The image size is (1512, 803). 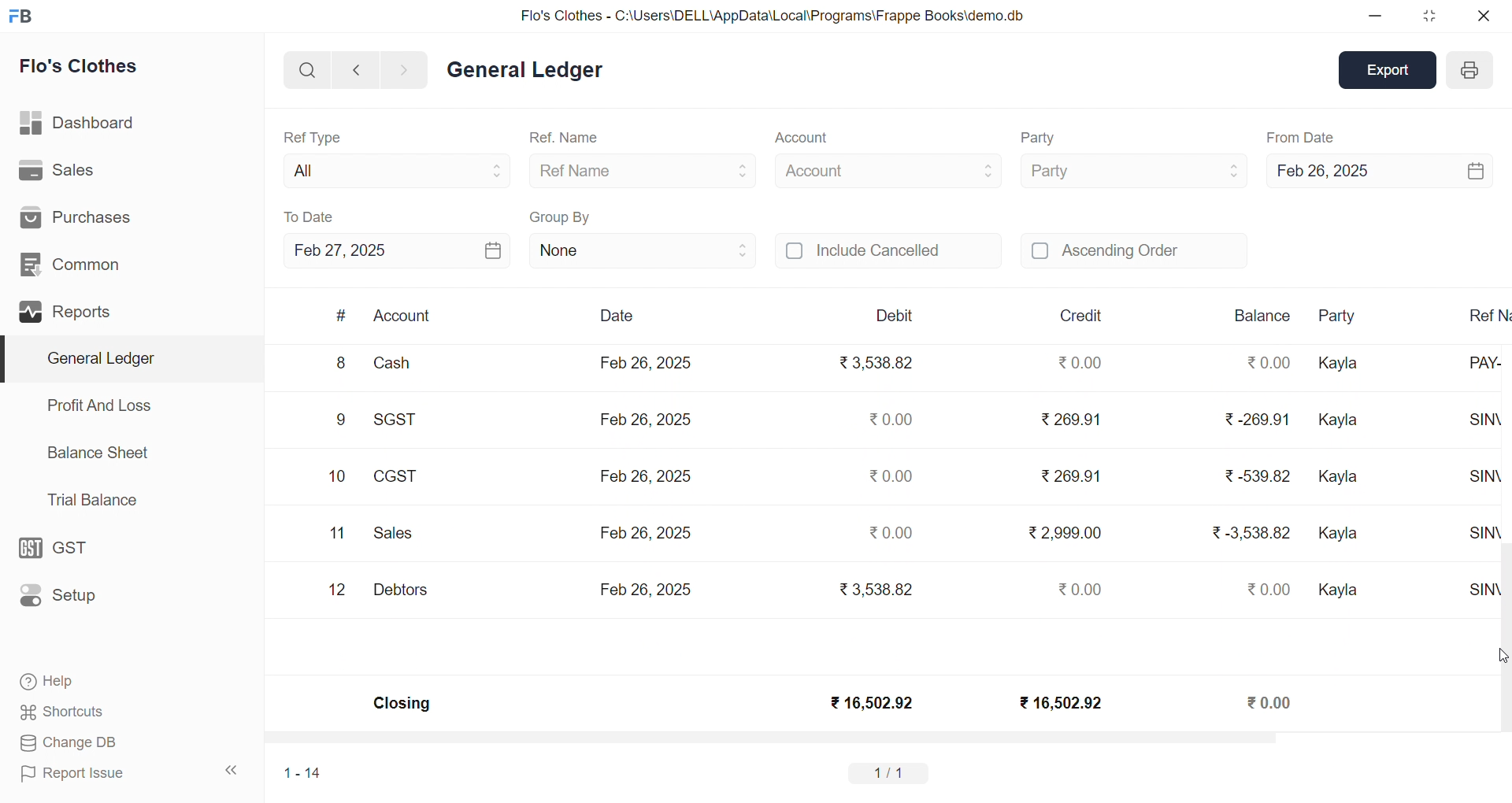 I want to click on CGST, so click(x=398, y=479).